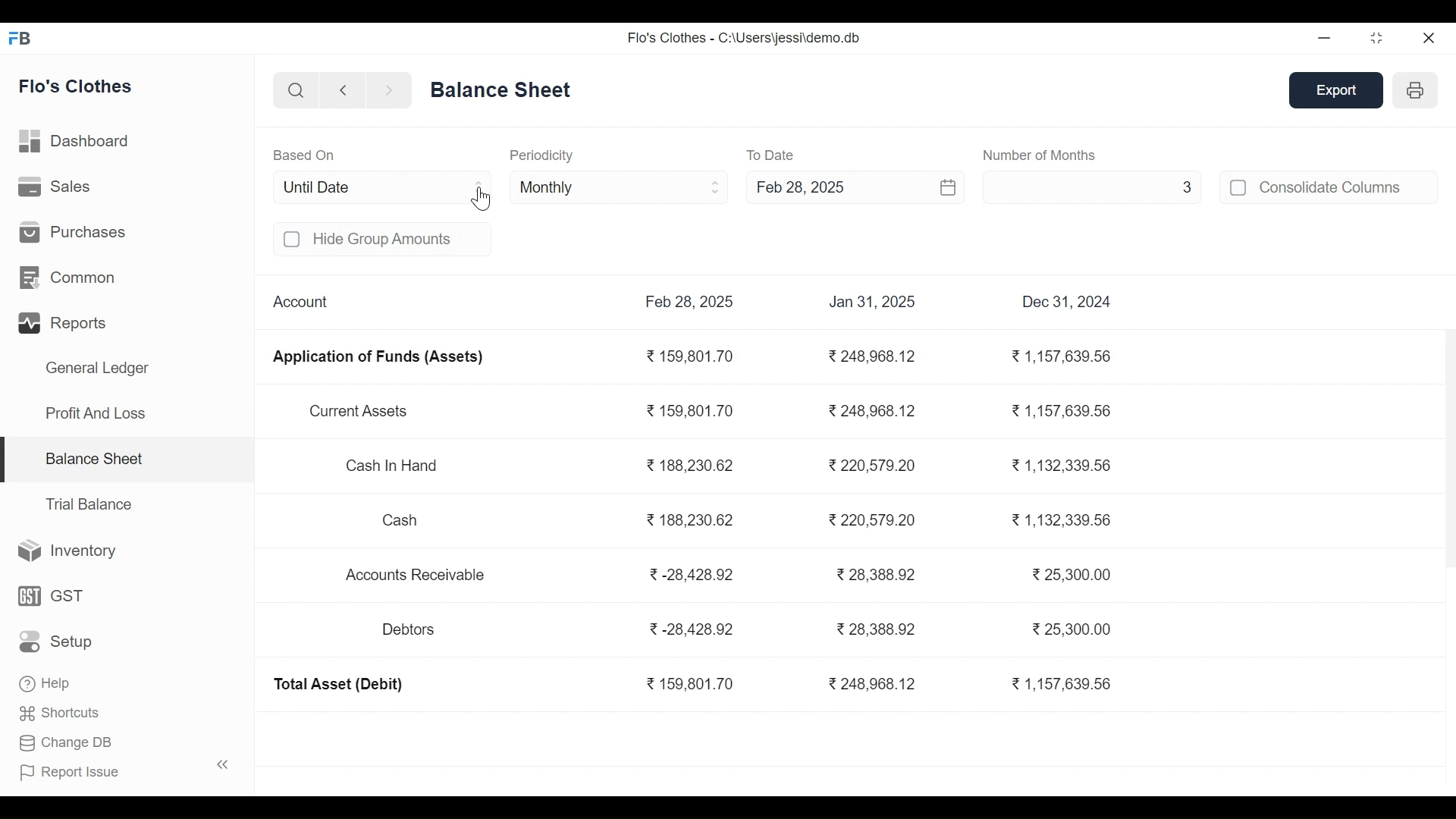 The width and height of the screenshot is (1456, 819). Describe the element at coordinates (1068, 301) in the screenshot. I see `Dec 31, 2024` at that location.